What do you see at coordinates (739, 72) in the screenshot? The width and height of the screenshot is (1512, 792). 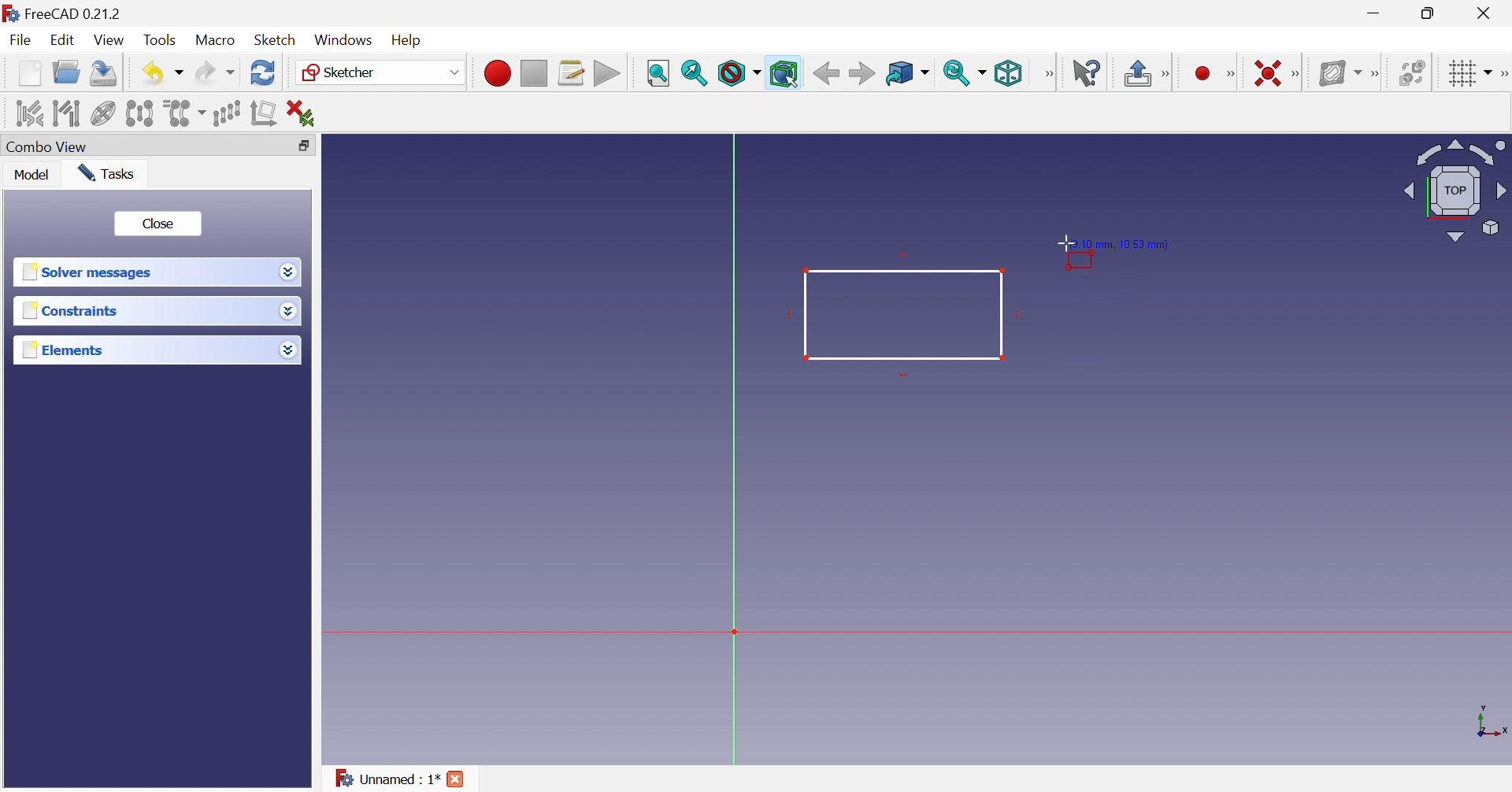 I see `Draw style` at bounding box center [739, 72].